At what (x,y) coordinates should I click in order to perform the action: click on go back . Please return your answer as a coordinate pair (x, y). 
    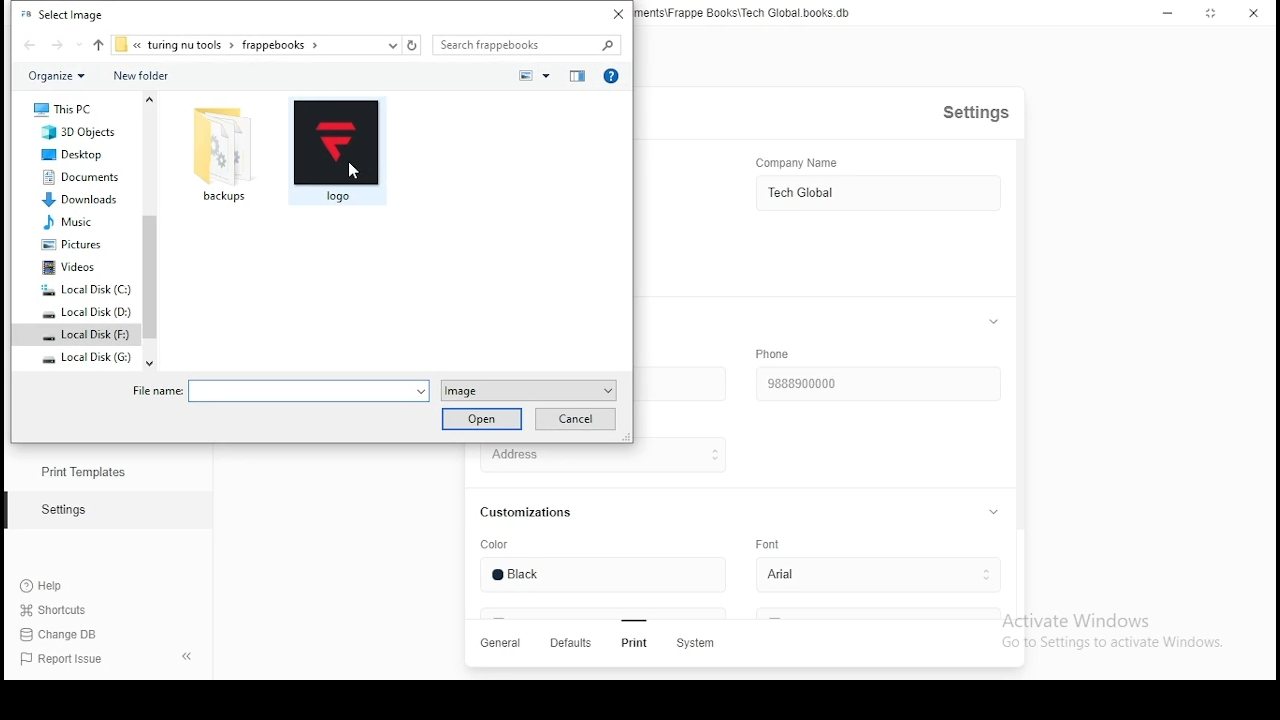
    Looking at the image, I should click on (31, 45).